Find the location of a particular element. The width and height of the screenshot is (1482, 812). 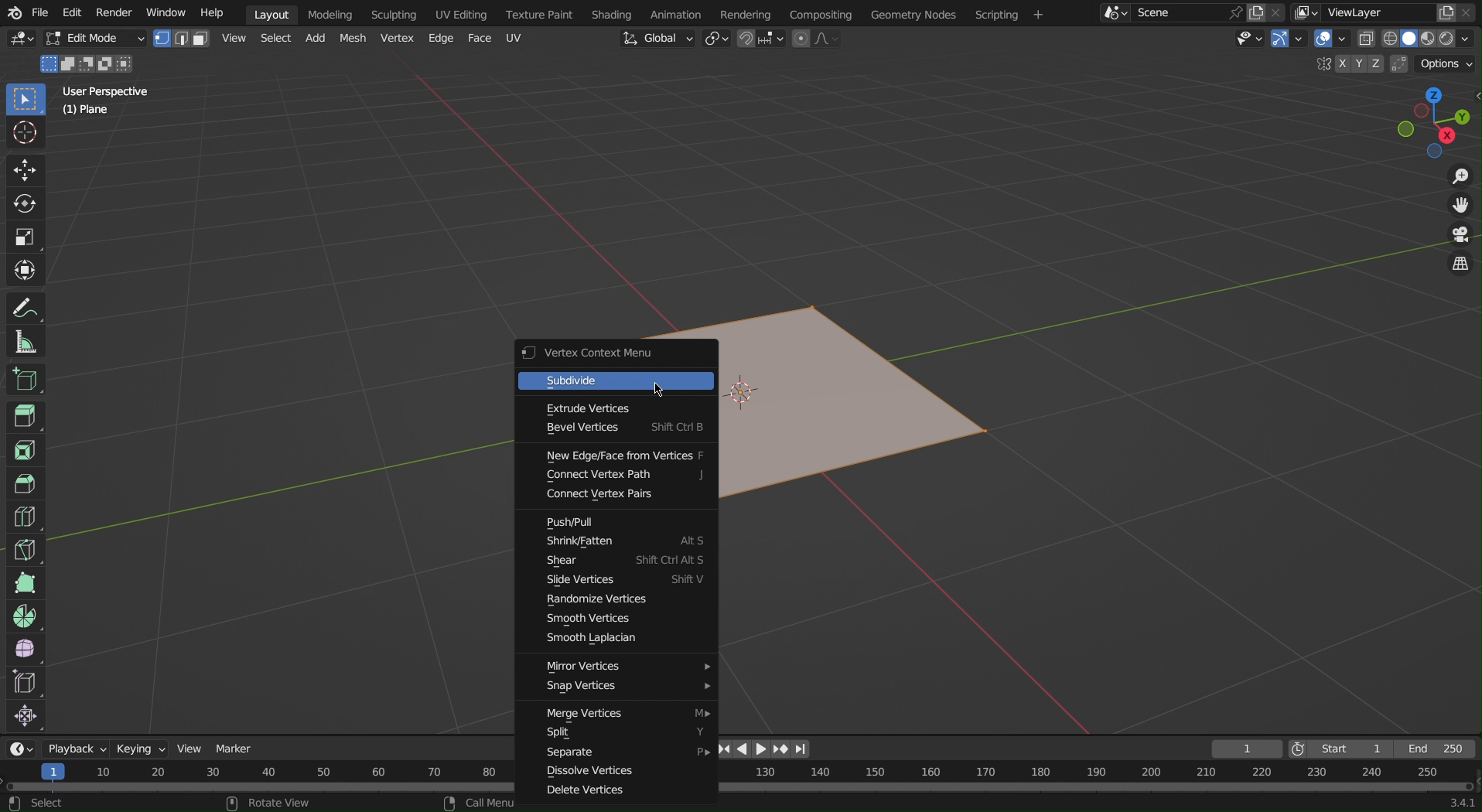

Help is located at coordinates (210, 12).